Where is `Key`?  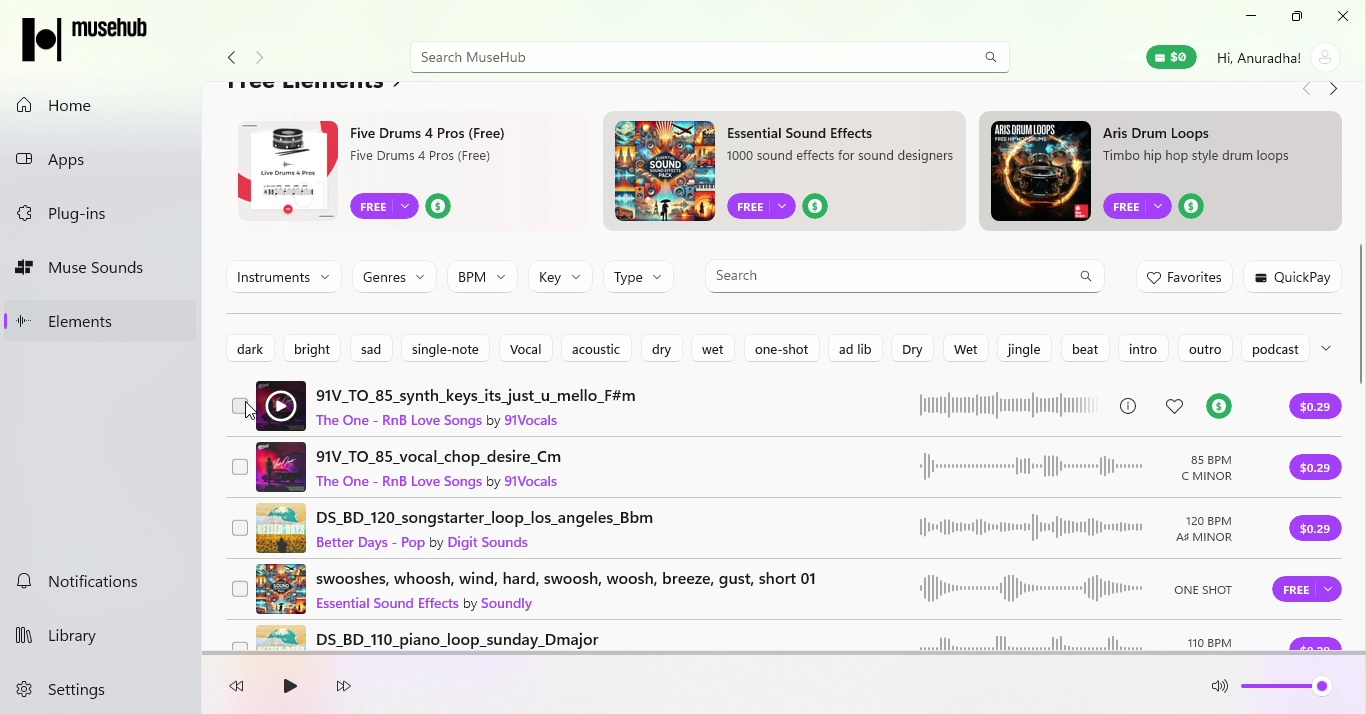
Key is located at coordinates (560, 278).